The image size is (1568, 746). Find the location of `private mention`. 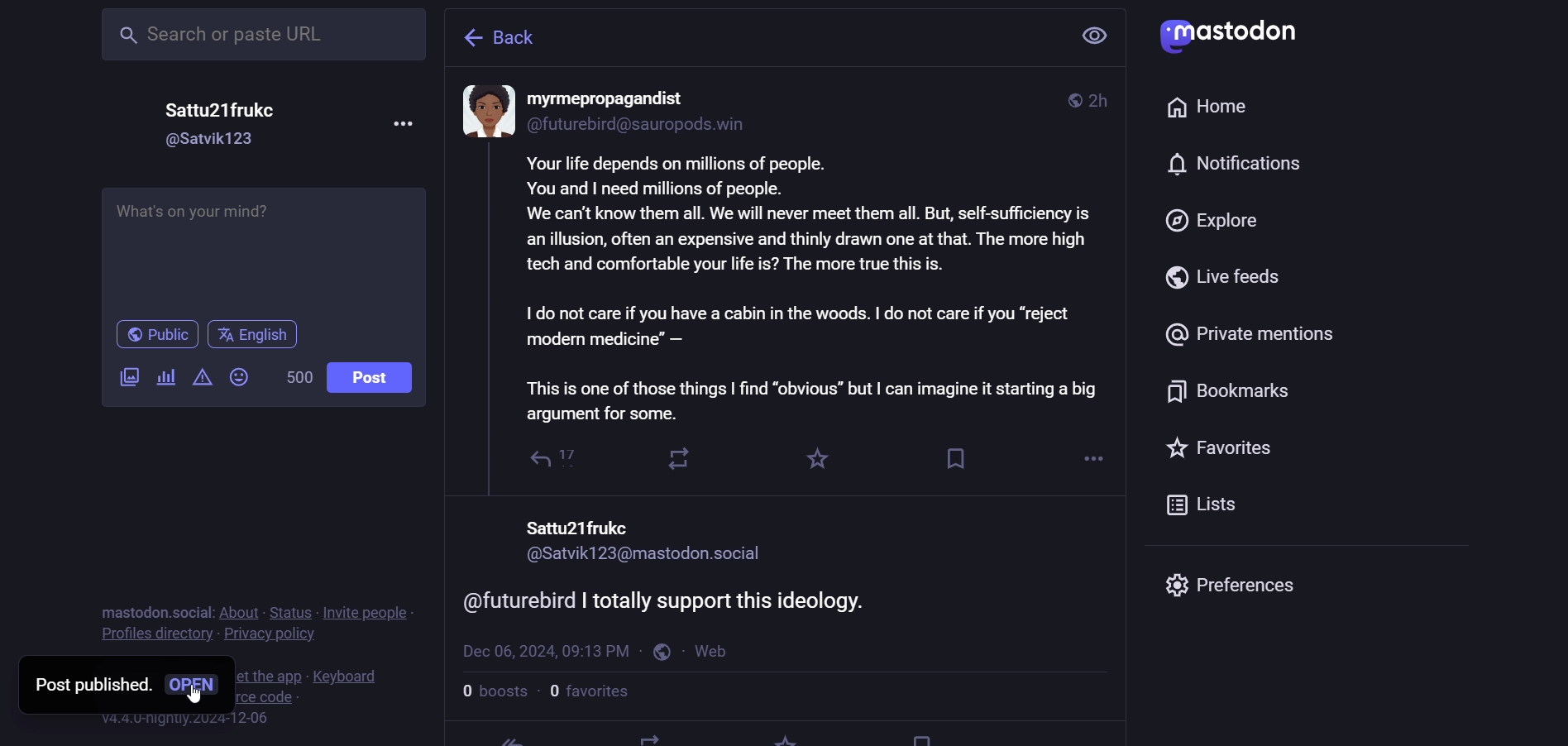

private mention is located at coordinates (1246, 336).